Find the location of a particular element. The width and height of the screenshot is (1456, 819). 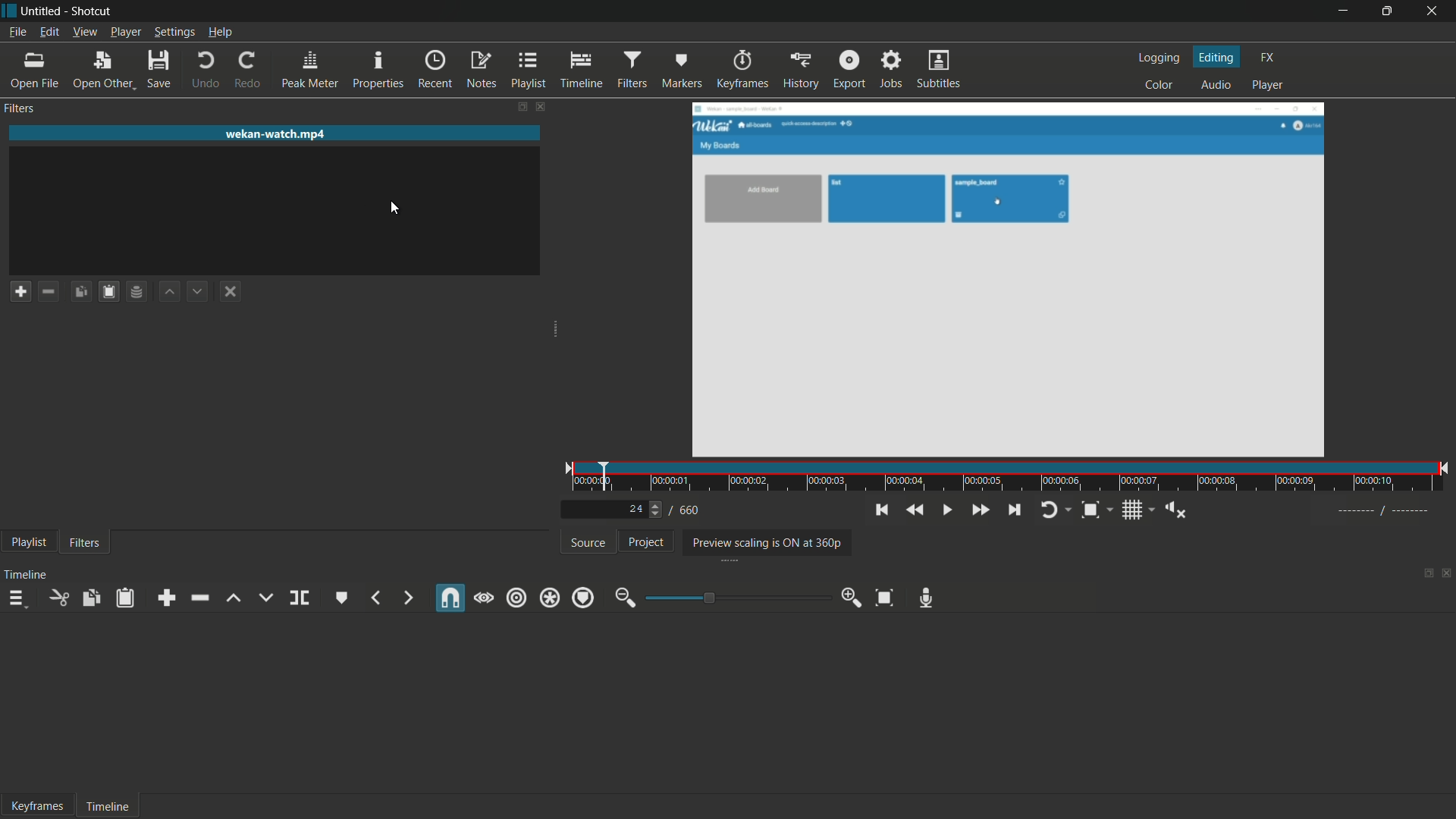

close timeline is located at coordinates (1447, 575).